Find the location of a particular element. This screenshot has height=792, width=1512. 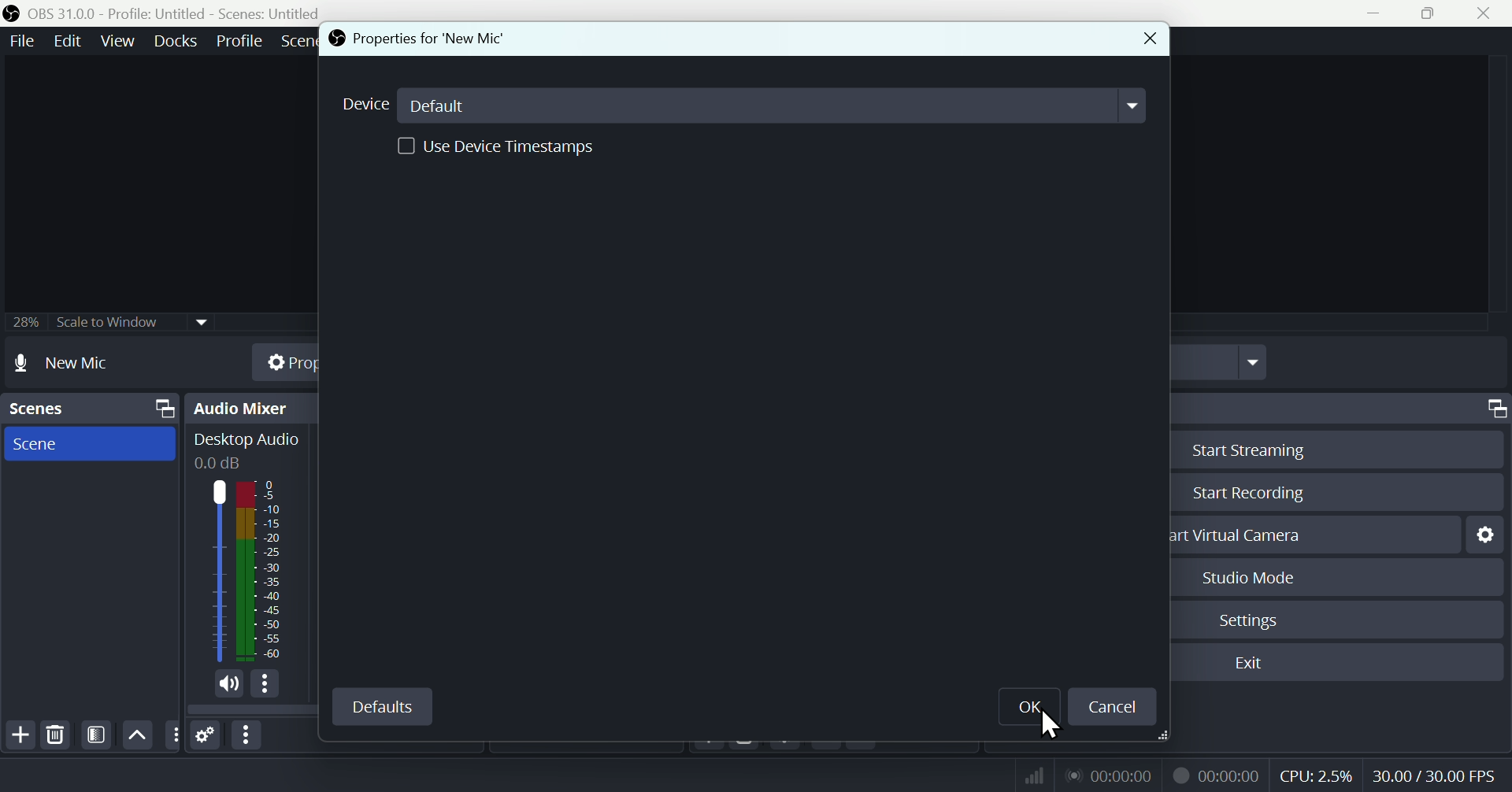

Settings is located at coordinates (1490, 534).